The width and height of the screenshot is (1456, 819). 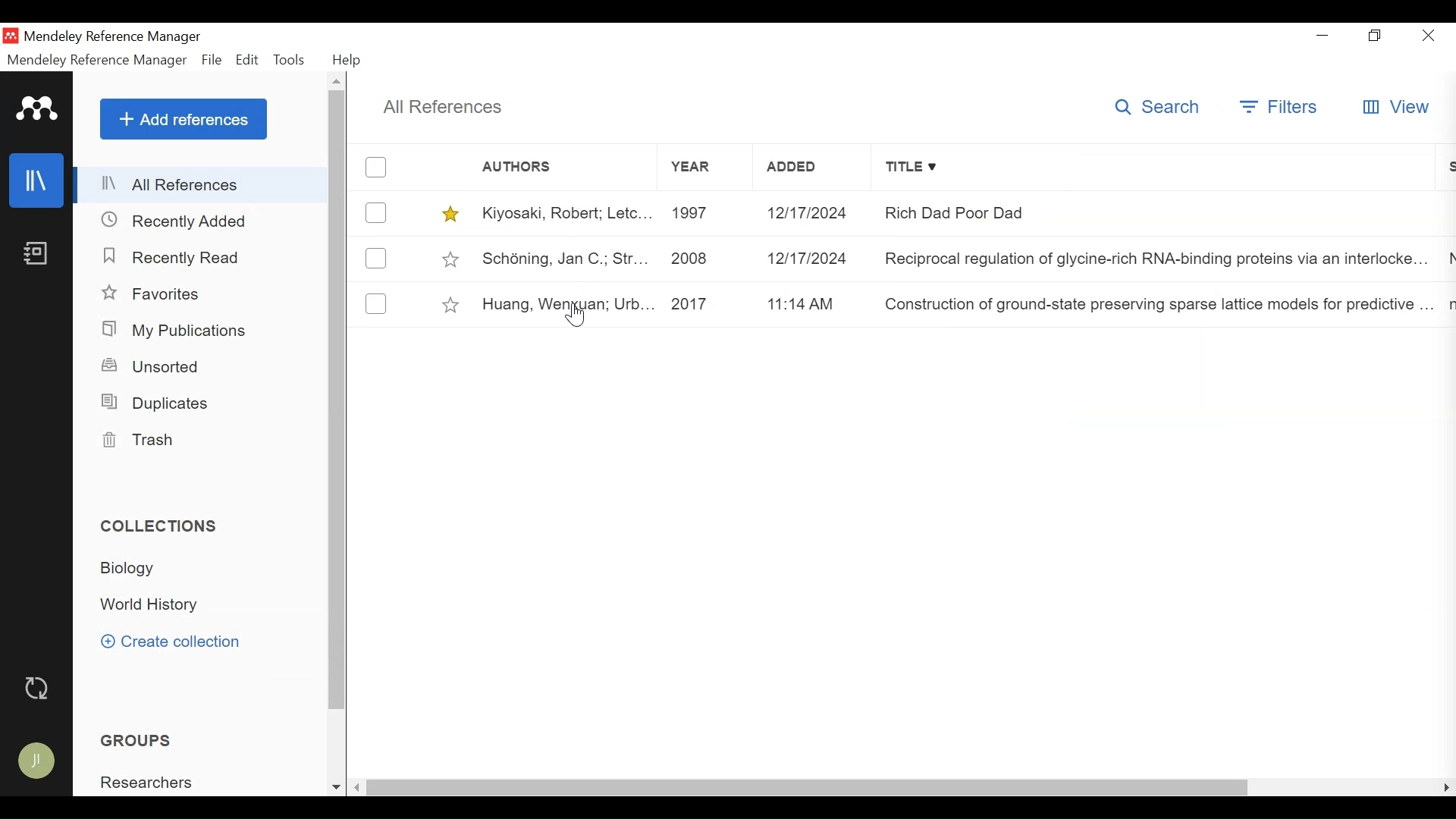 I want to click on Tools, so click(x=288, y=61).